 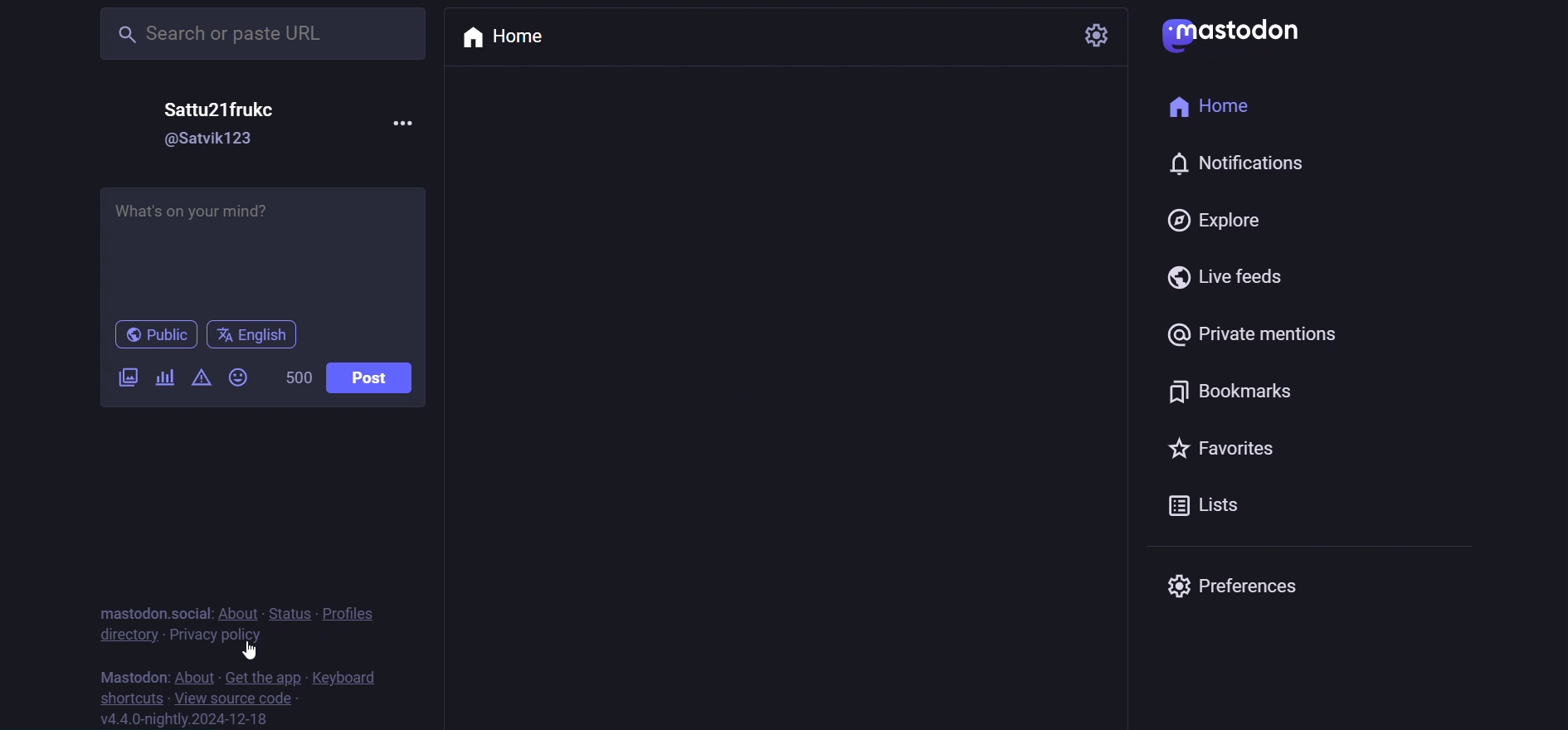 I want to click on notification, so click(x=1233, y=168).